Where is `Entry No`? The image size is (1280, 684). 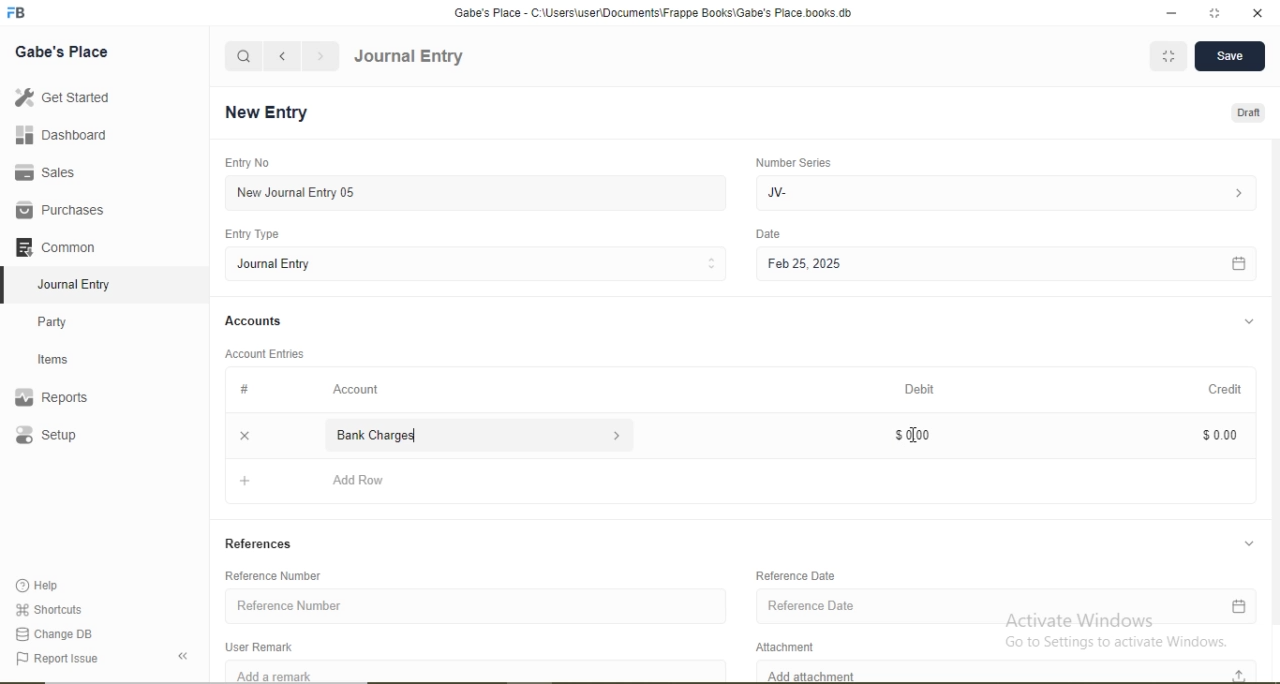 Entry No is located at coordinates (244, 162).